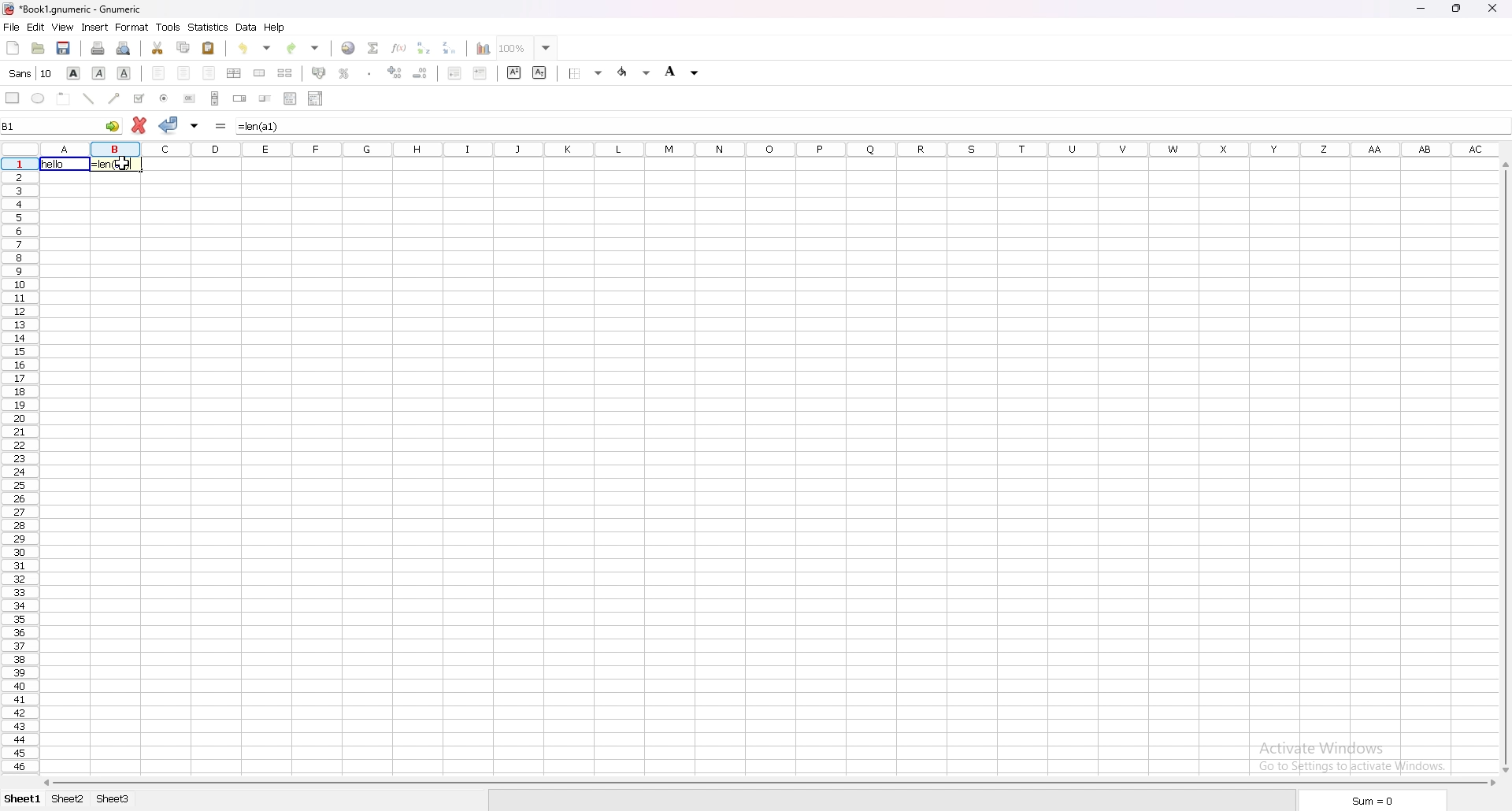 This screenshot has width=1512, height=811. Describe the element at coordinates (450, 47) in the screenshot. I see `sort descending` at that location.